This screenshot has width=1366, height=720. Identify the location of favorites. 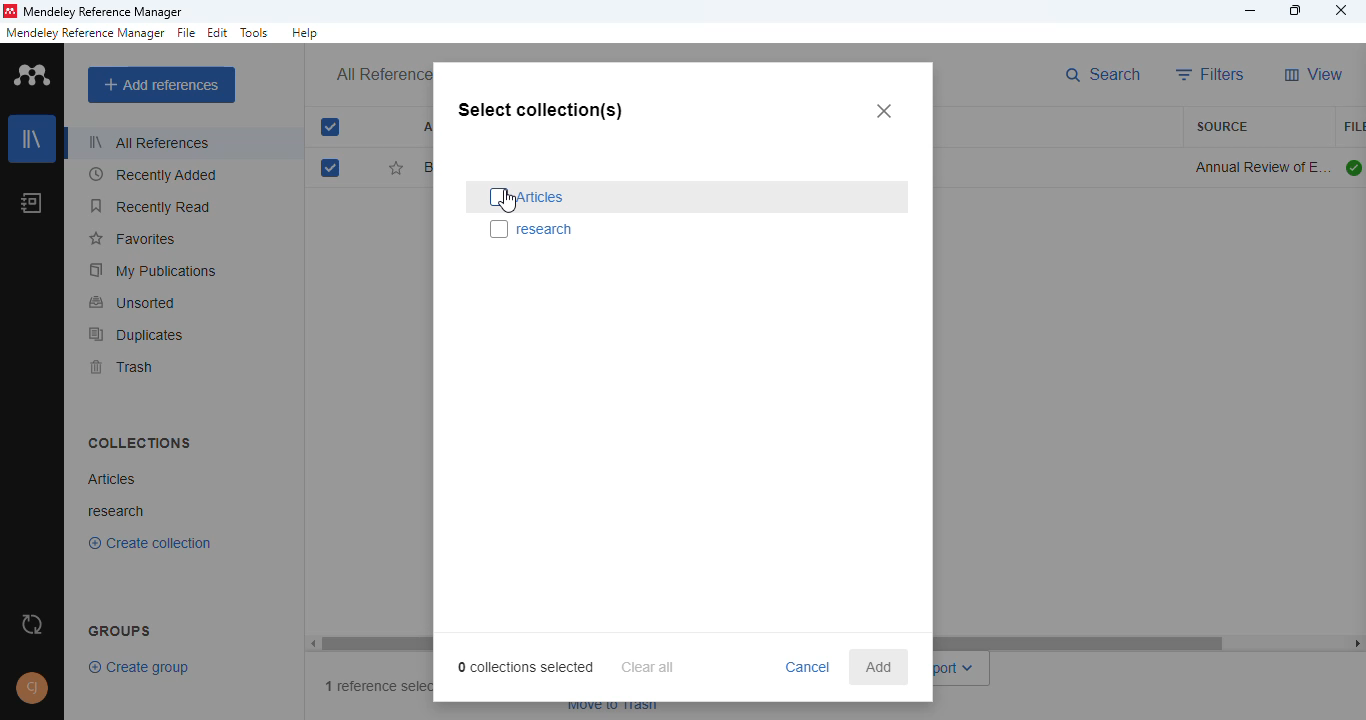
(135, 239).